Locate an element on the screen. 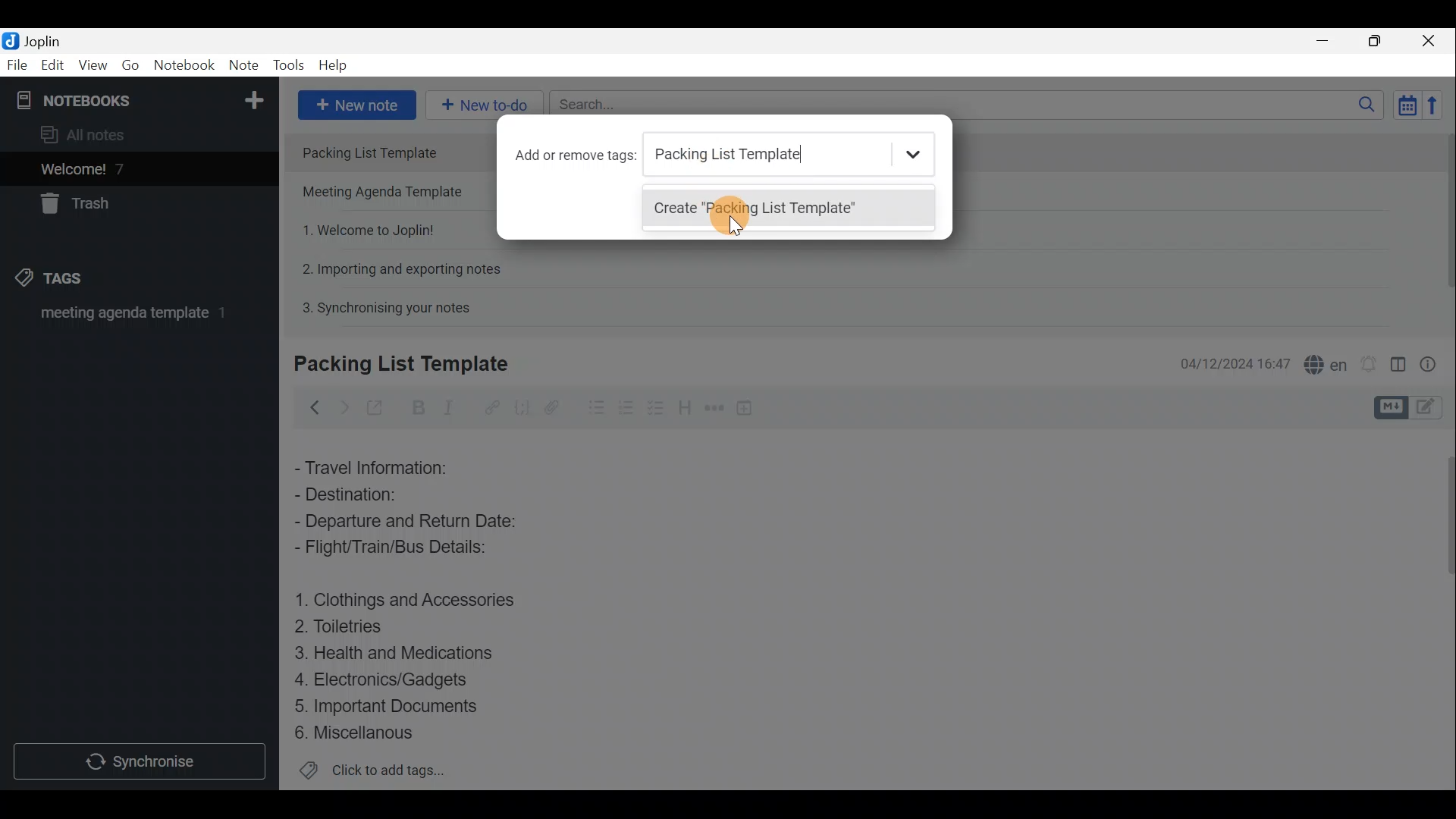  Scroll bar is located at coordinates (1442, 607).